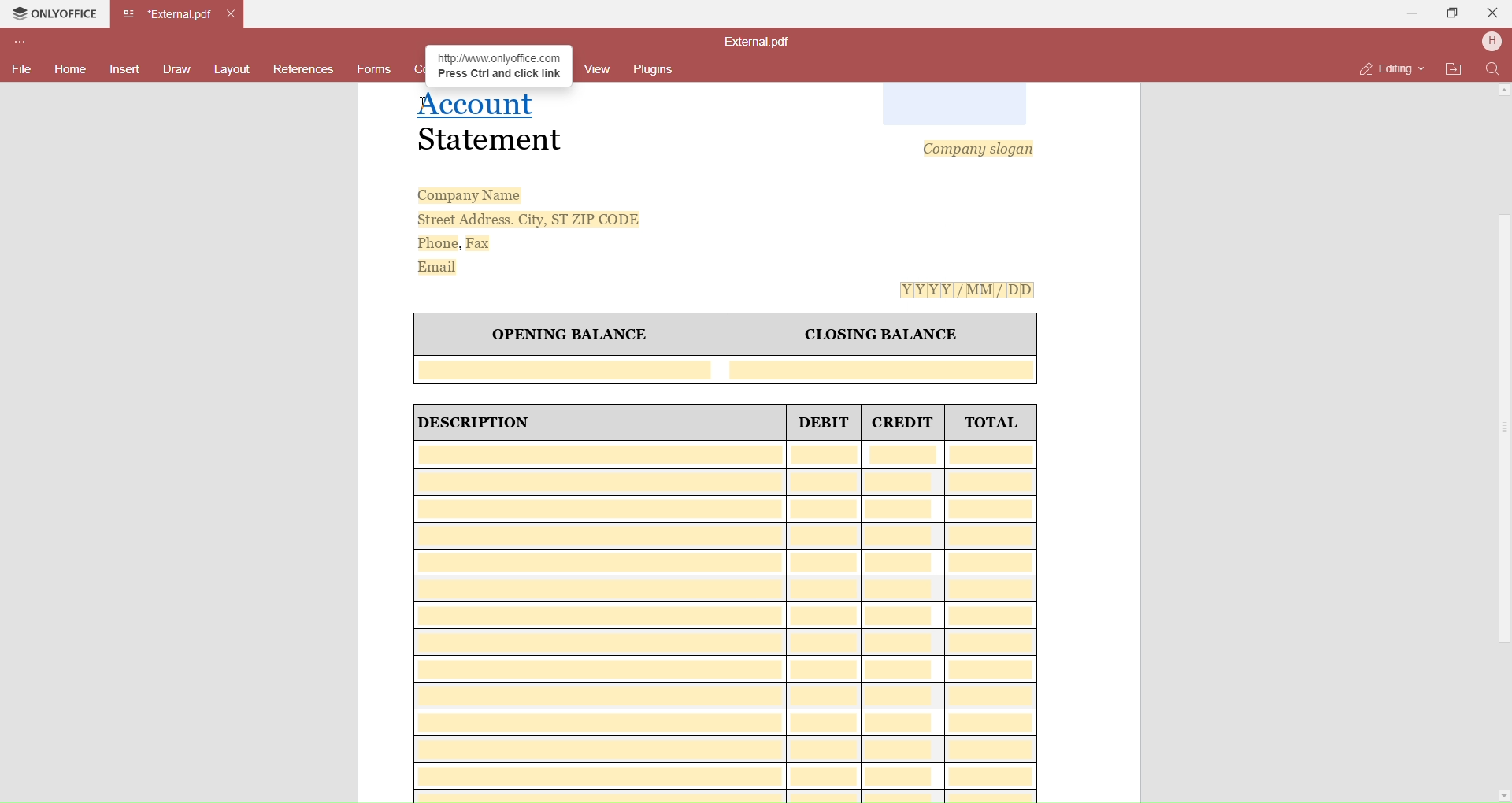 This screenshot has width=1512, height=803. I want to click on Maximize, so click(1449, 13).